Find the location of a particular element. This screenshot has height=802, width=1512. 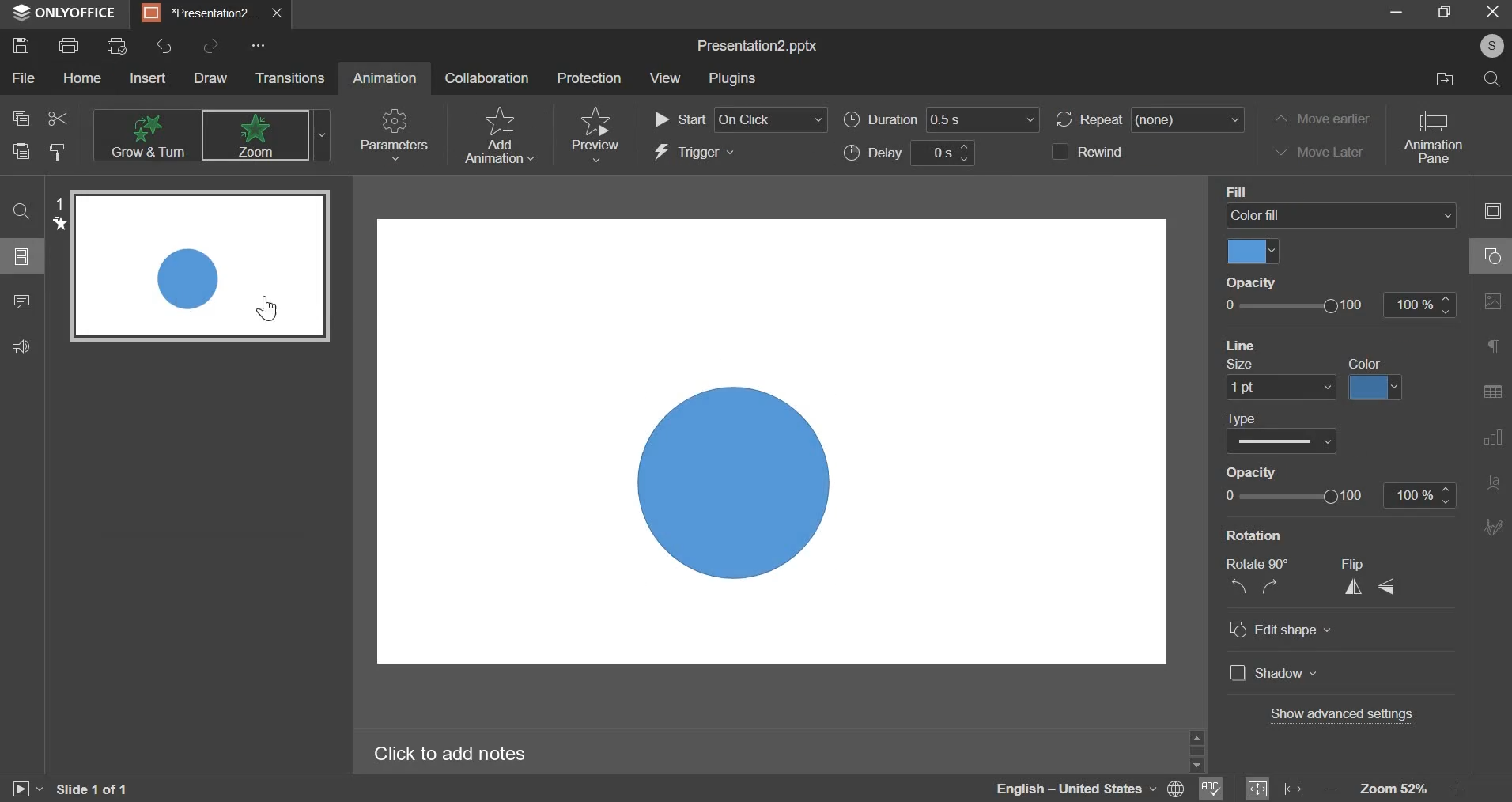

find is located at coordinates (20, 211).